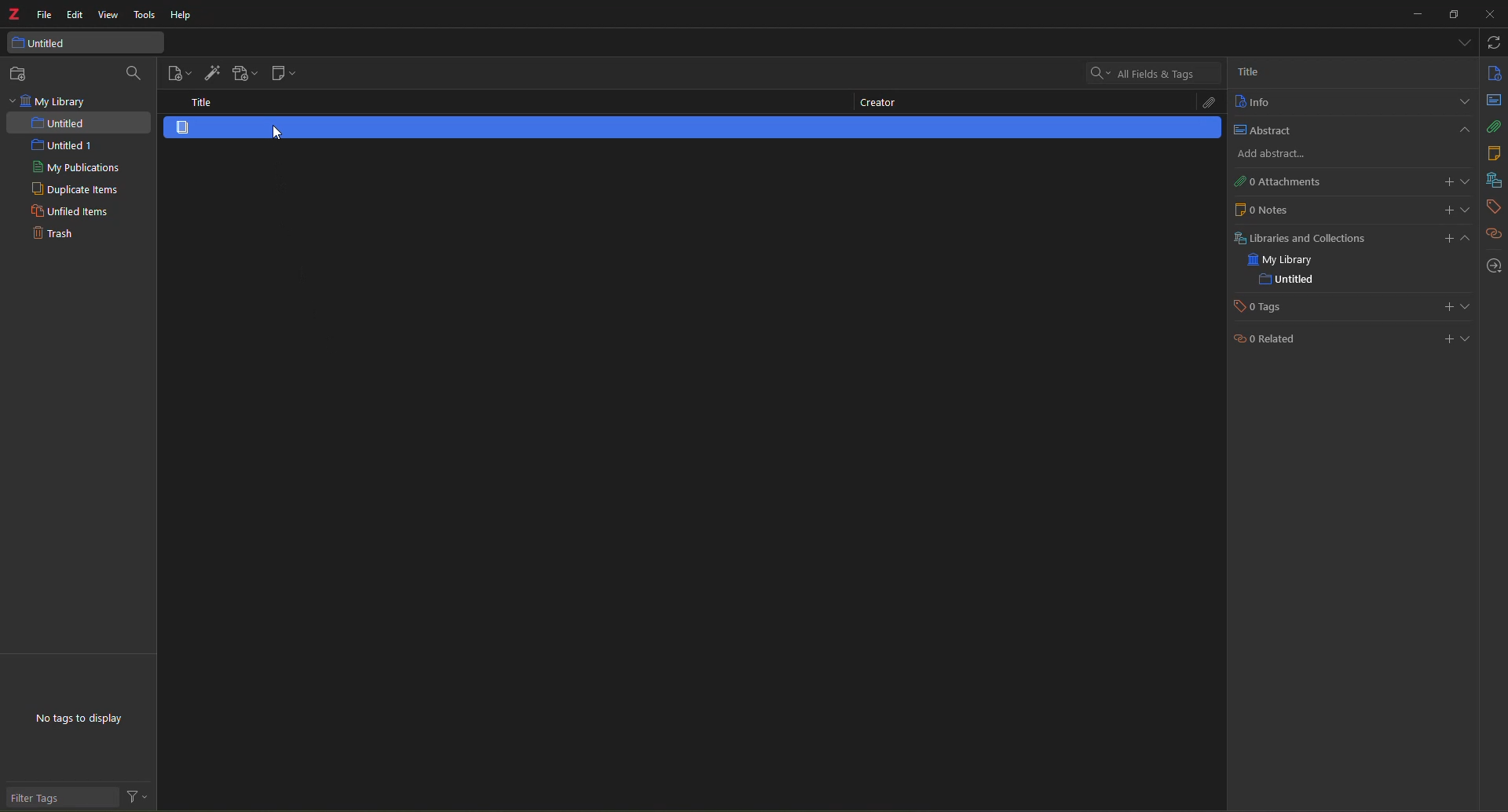 The image size is (1508, 812). I want to click on help, so click(179, 16).